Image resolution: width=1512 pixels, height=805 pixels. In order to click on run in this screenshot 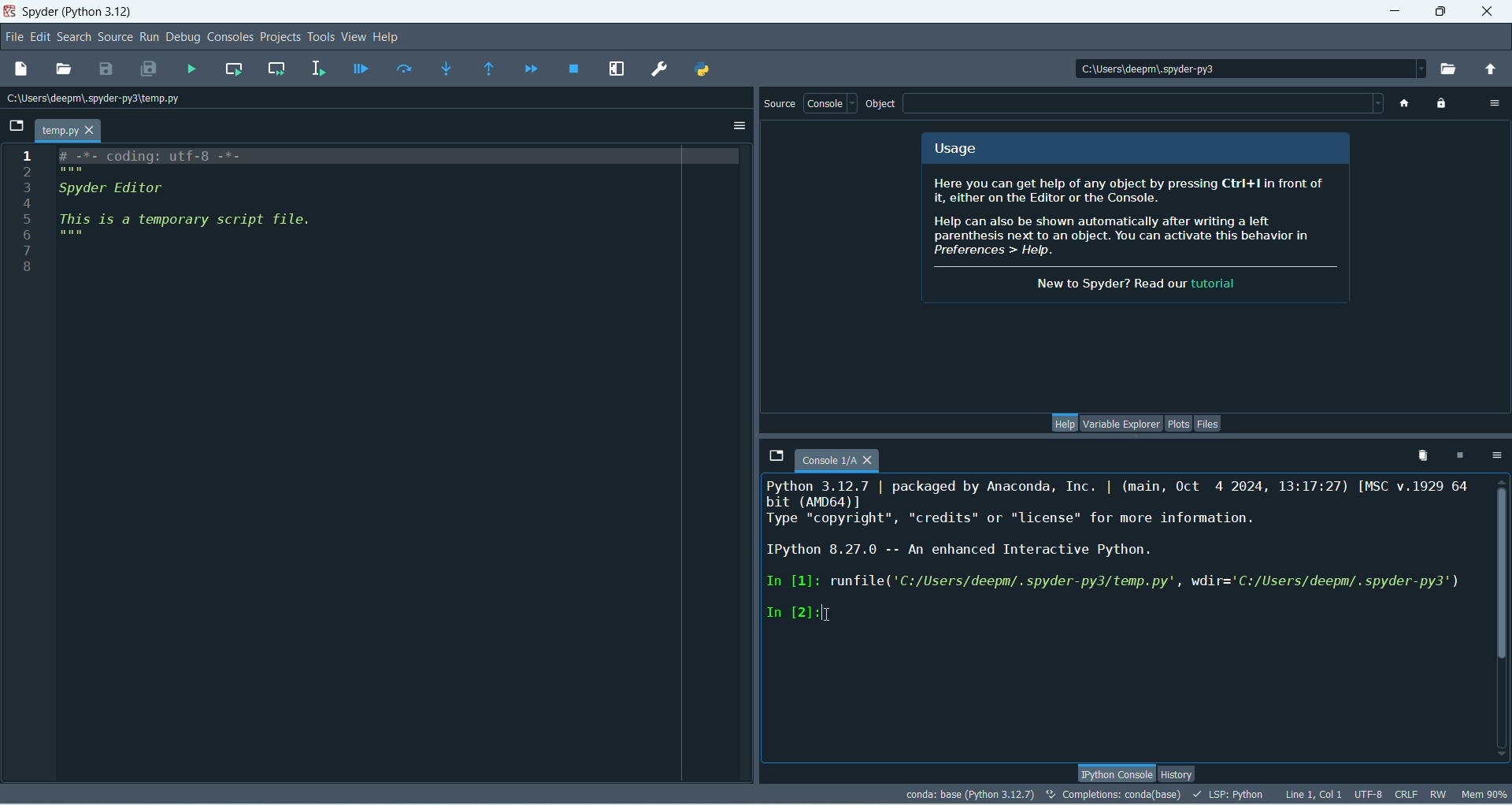, I will do `click(148, 37)`.